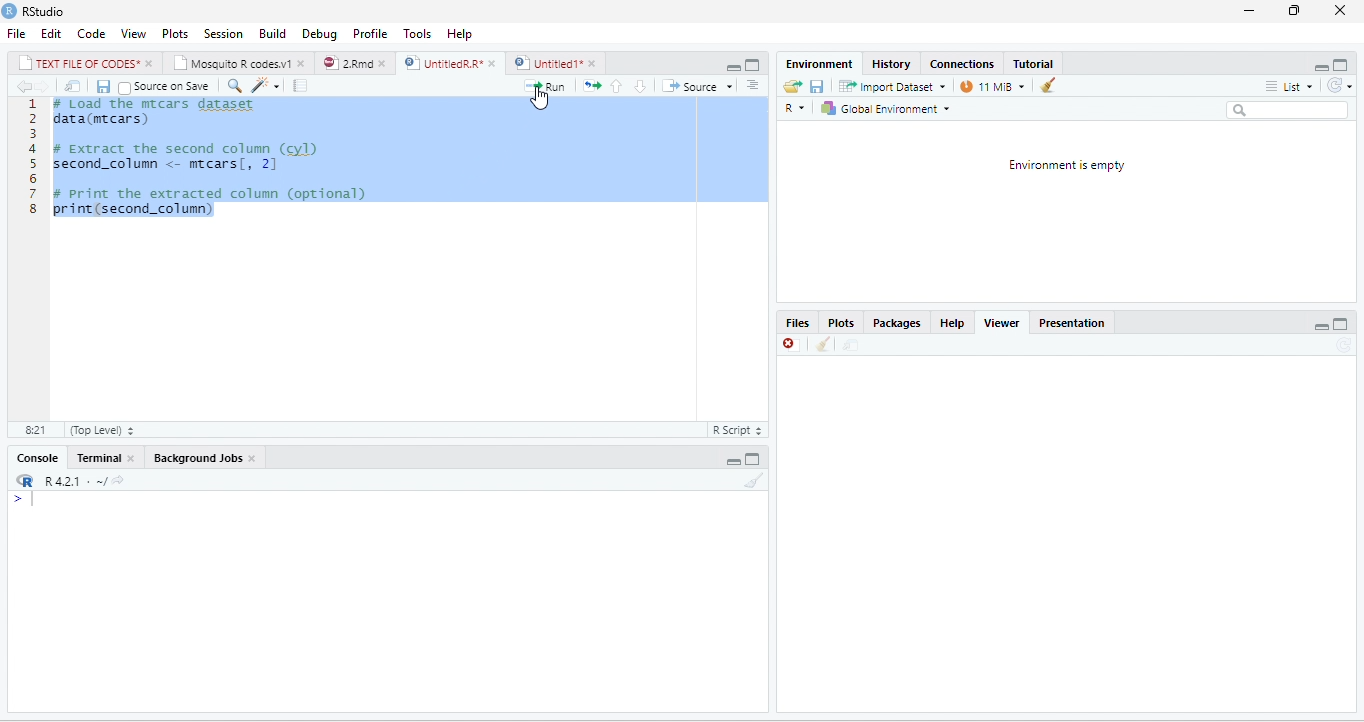  What do you see at coordinates (99, 431) in the screenshot?
I see `(top level)` at bounding box center [99, 431].